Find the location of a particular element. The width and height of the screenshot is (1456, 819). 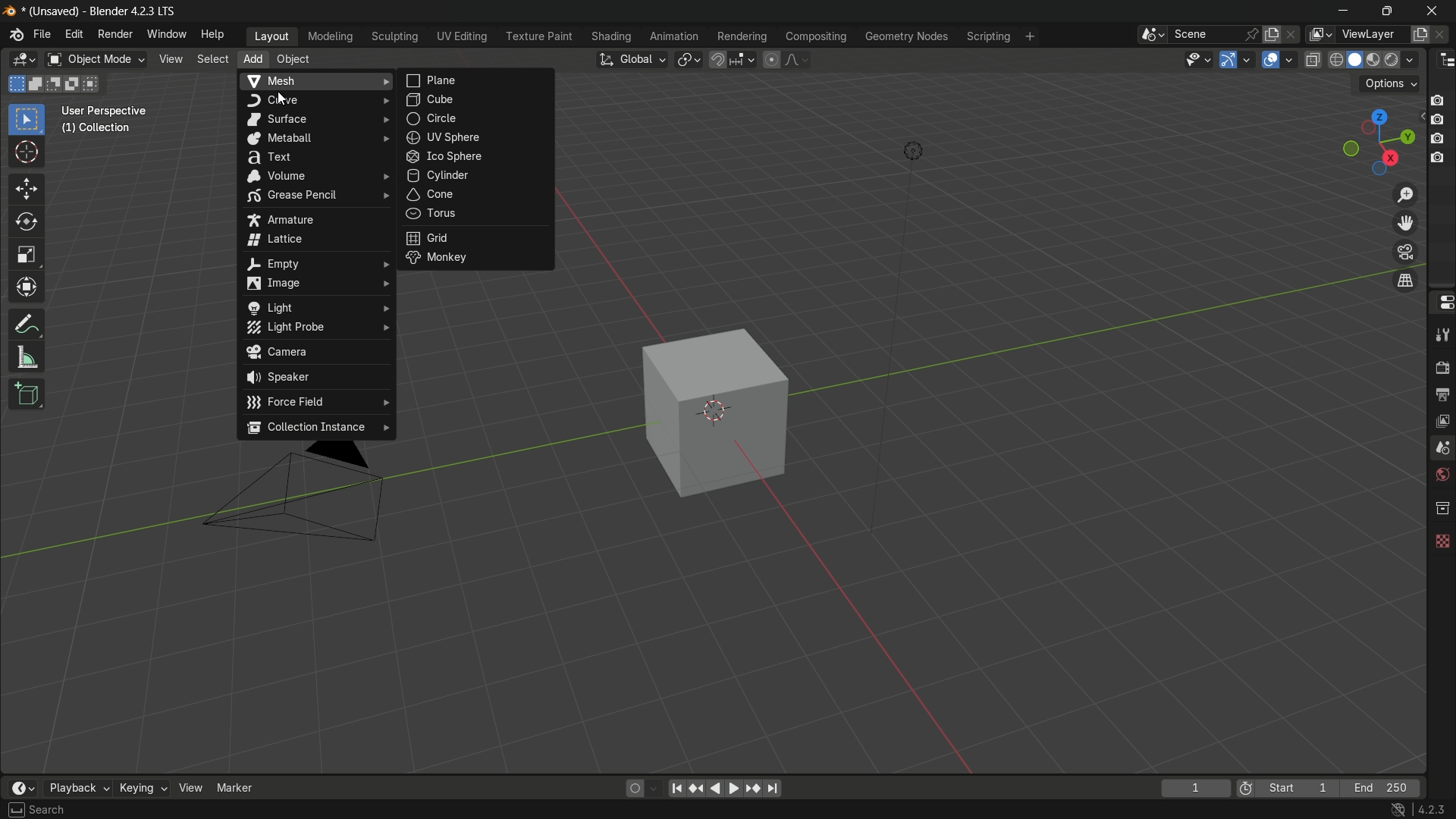

shading menu is located at coordinates (613, 37).